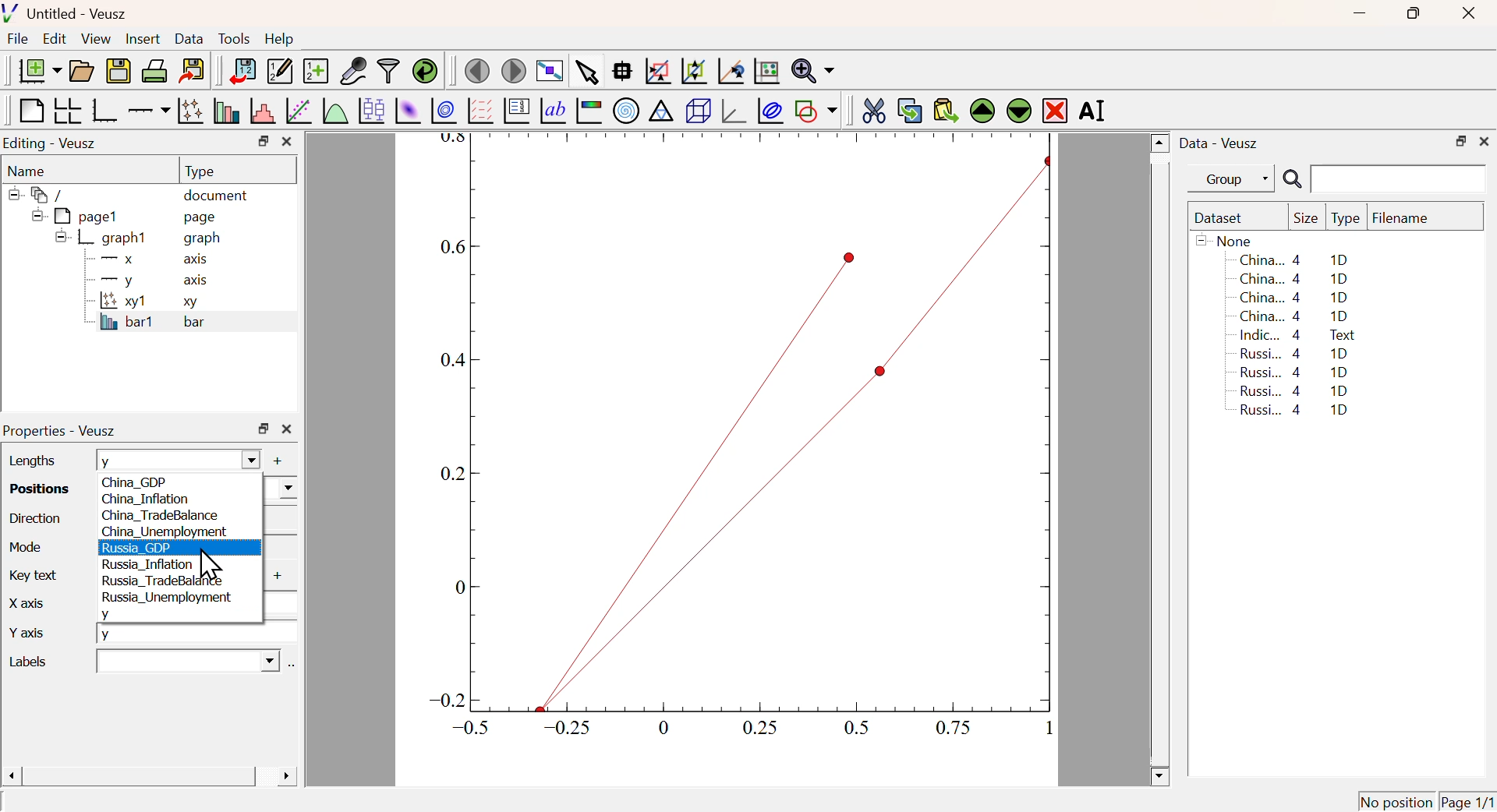 The image size is (1497, 812). What do you see at coordinates (165, 598) in the screenshot?
I see `Russia_Unemployment` at bounding box center [165, 598].